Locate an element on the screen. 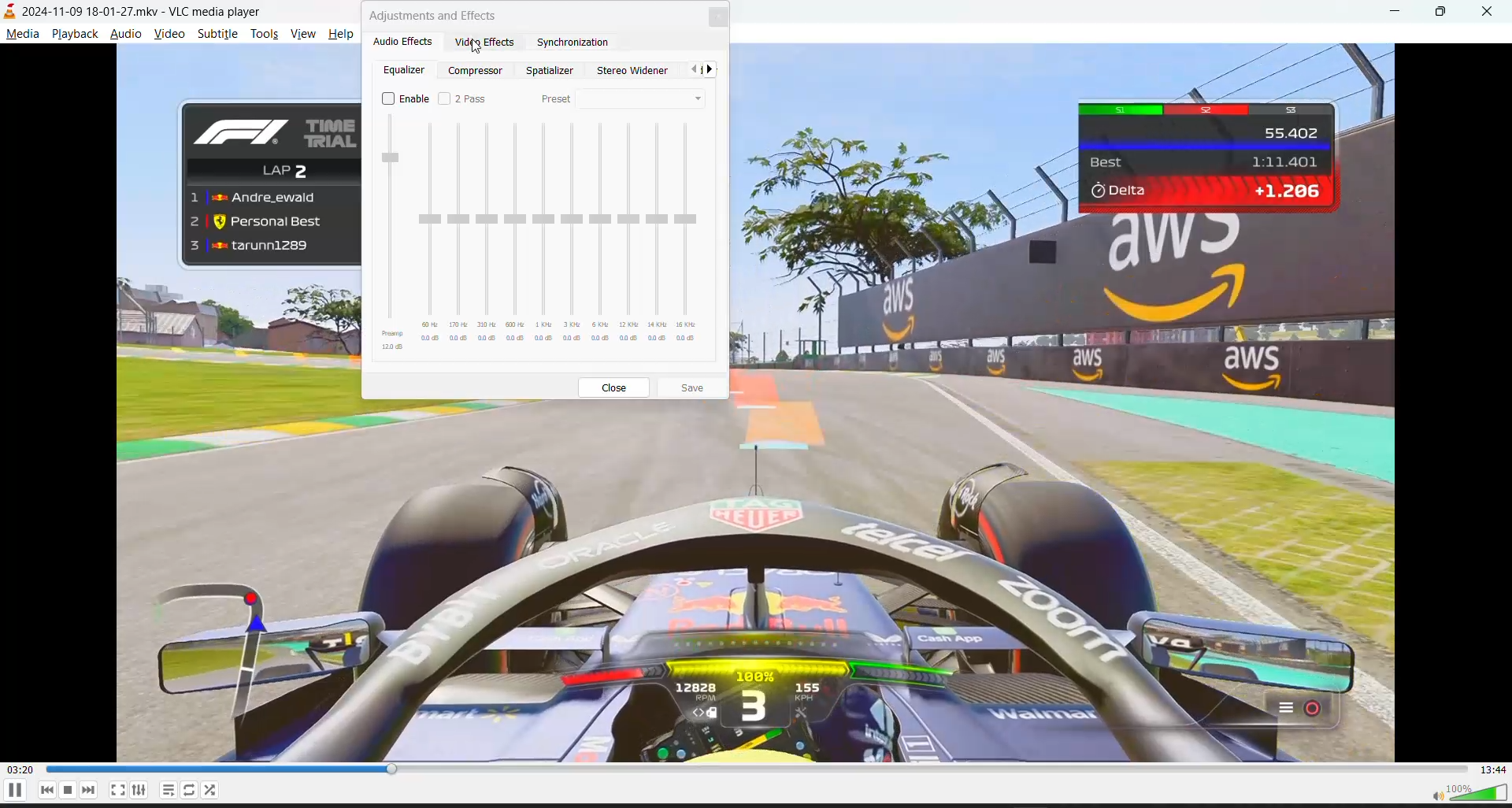 This screenshot has width=1512, height=808. slider is located at coordinates (685, 232).